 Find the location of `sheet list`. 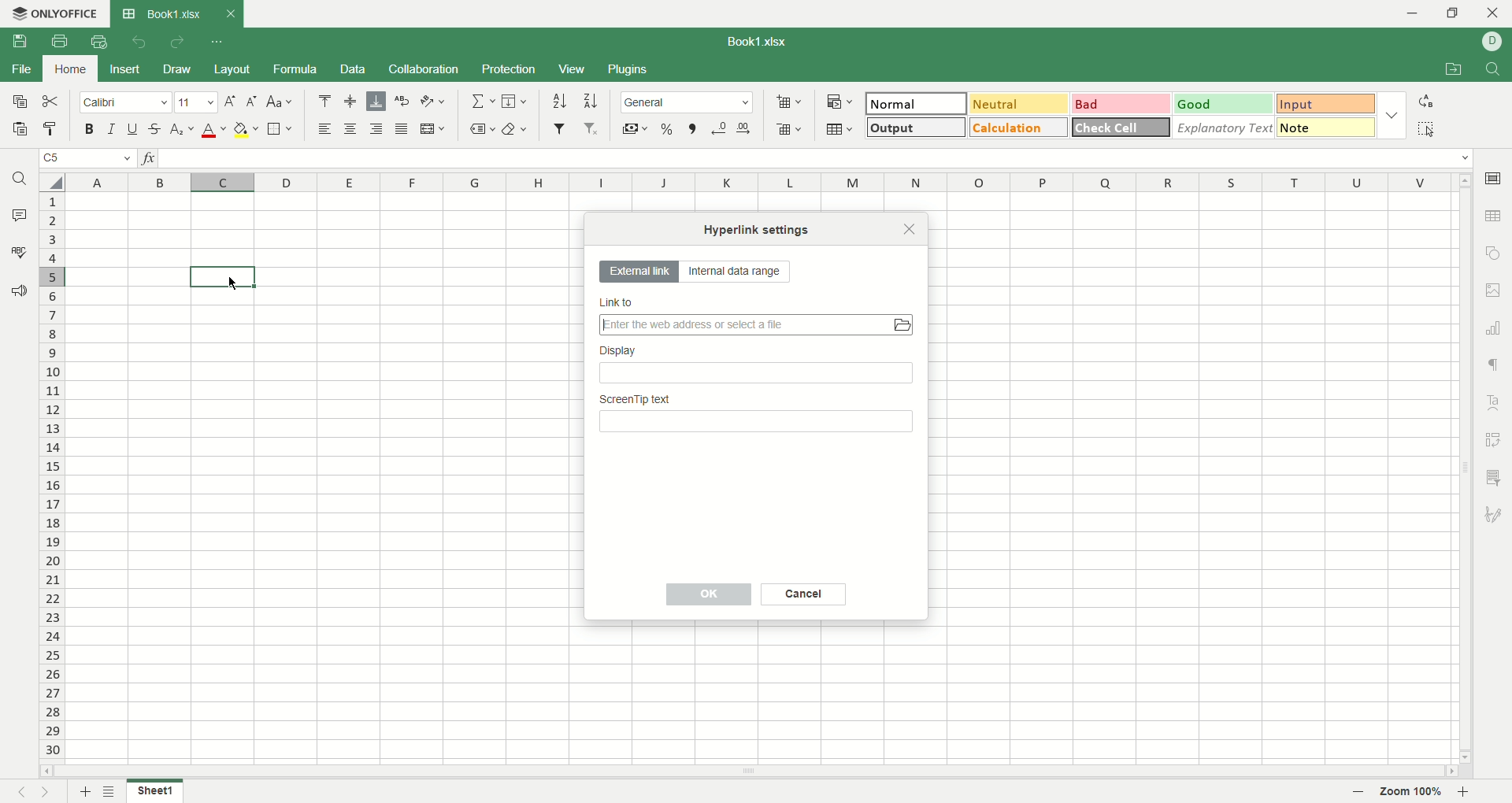

sheet list is located at coordinates (112, 790).